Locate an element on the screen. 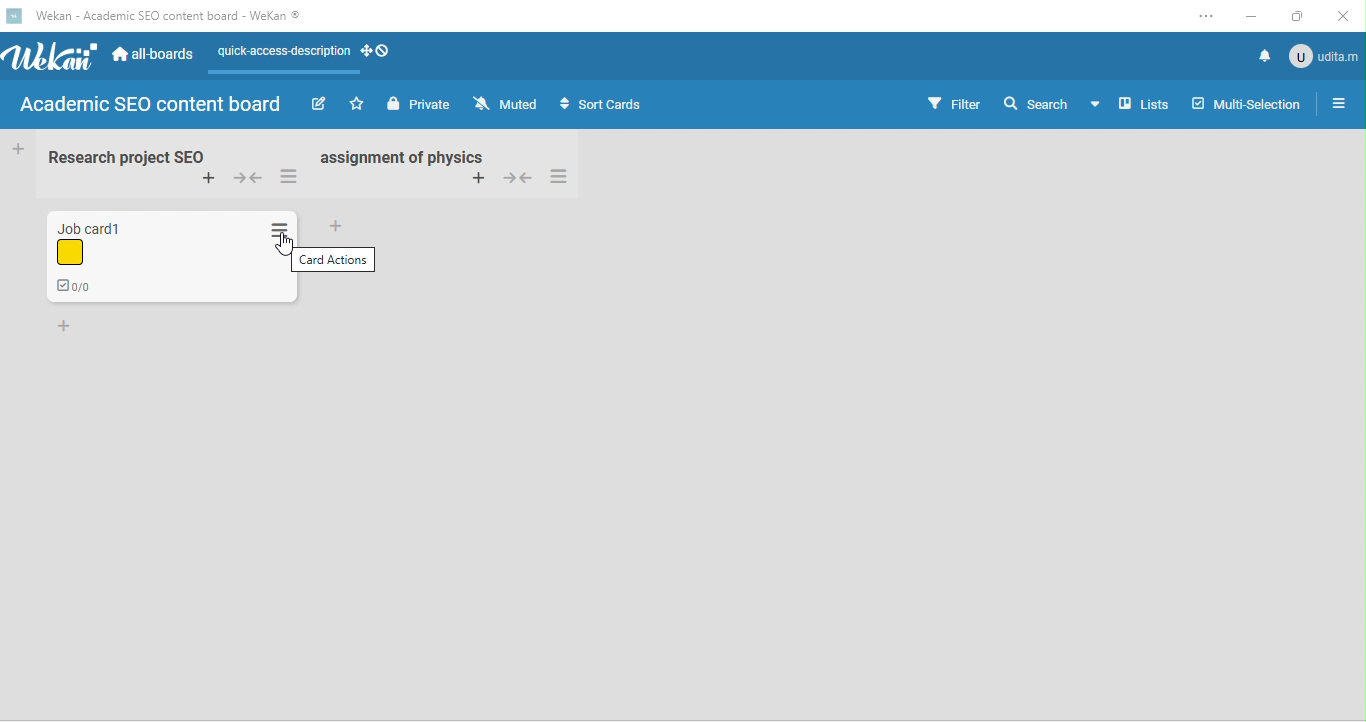  add card is located at coordinates (337, 226).